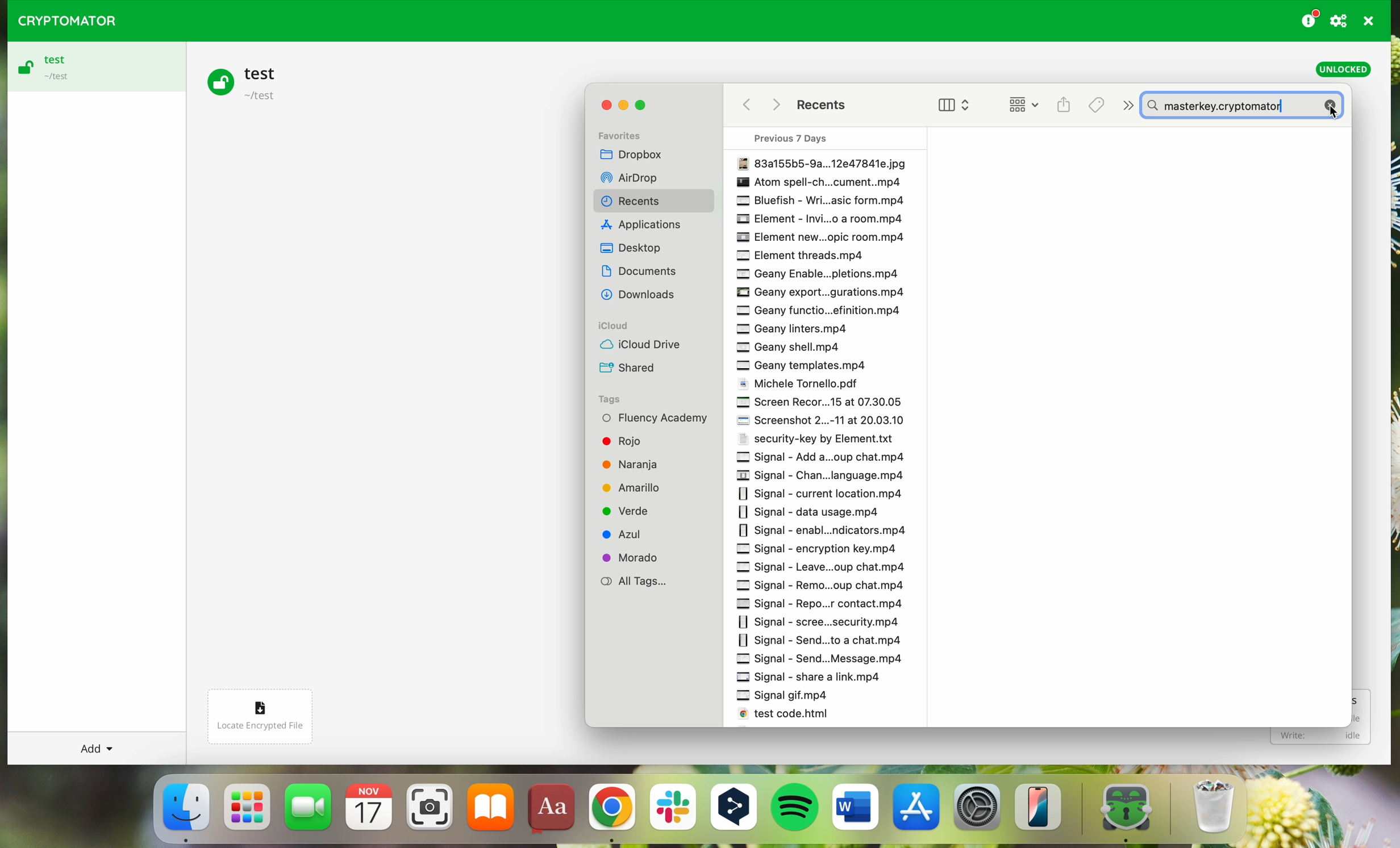 The height and width of the screenshot is (848, 1400). What do you see at coordinates (639, 177) in the screenshot?
I see `` at bounding box center [639, 177].